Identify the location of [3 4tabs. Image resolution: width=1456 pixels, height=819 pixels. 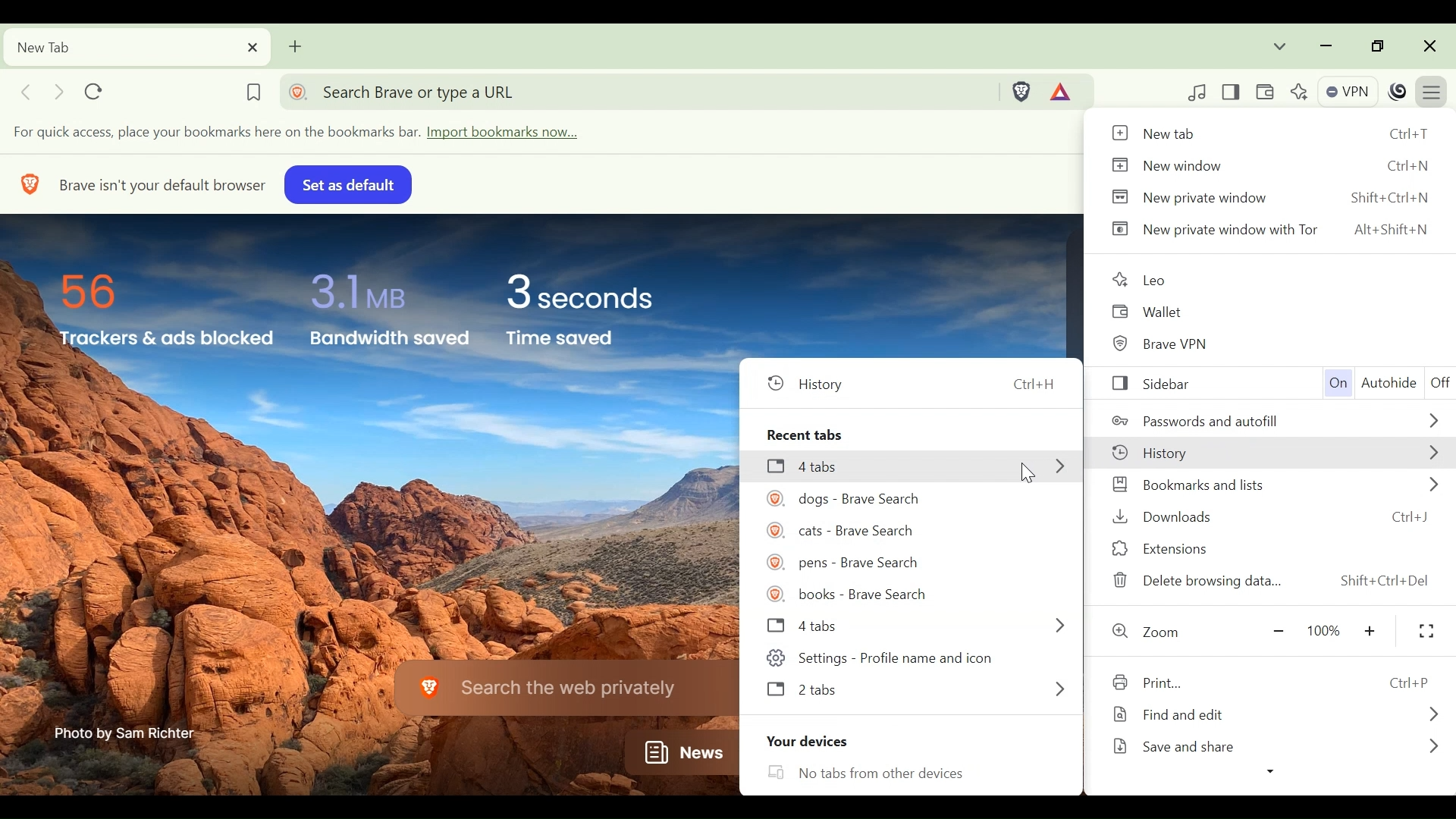
(811, 469).